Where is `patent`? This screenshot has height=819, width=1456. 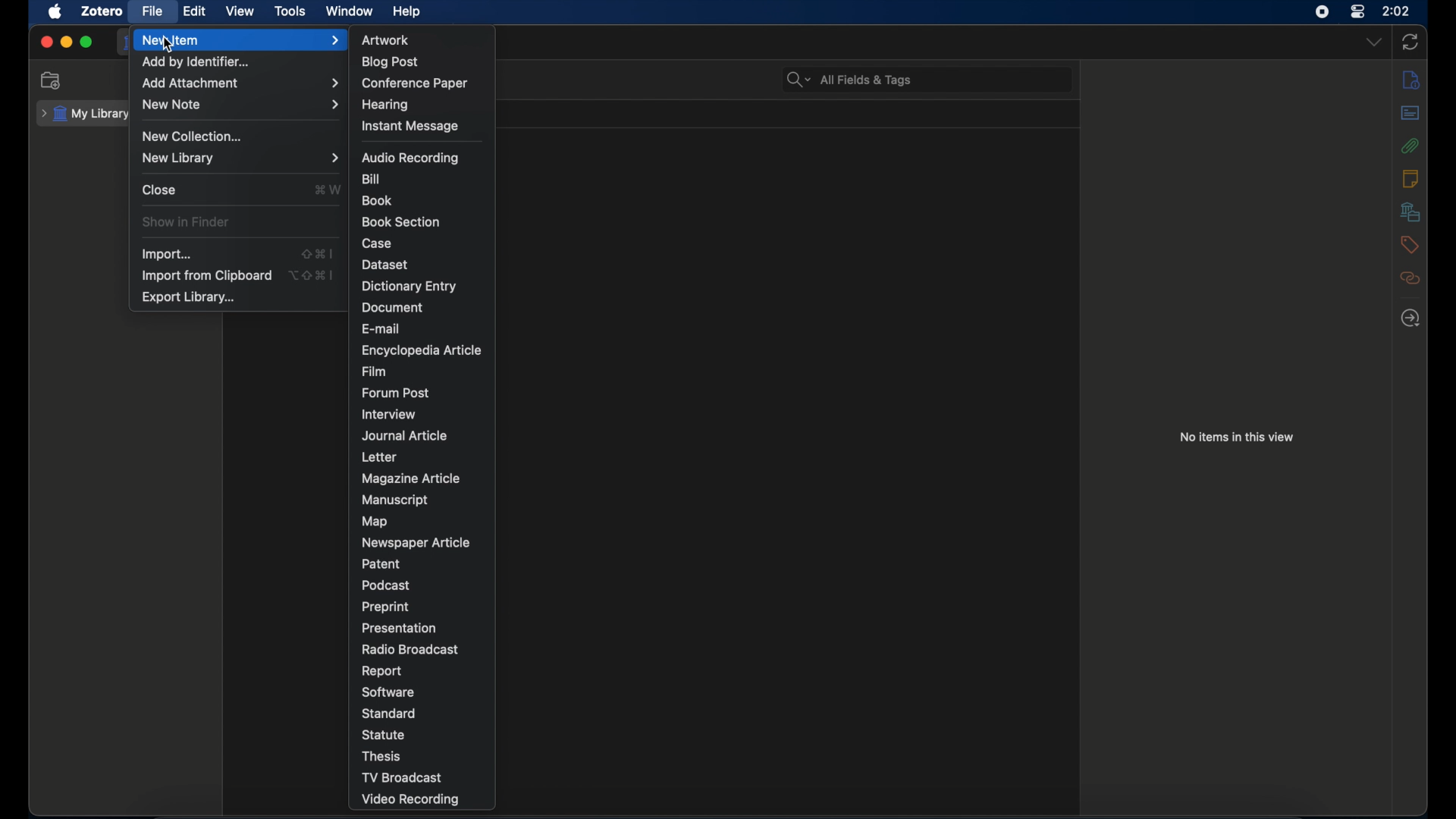
patent is located at coordinates (381, 563).